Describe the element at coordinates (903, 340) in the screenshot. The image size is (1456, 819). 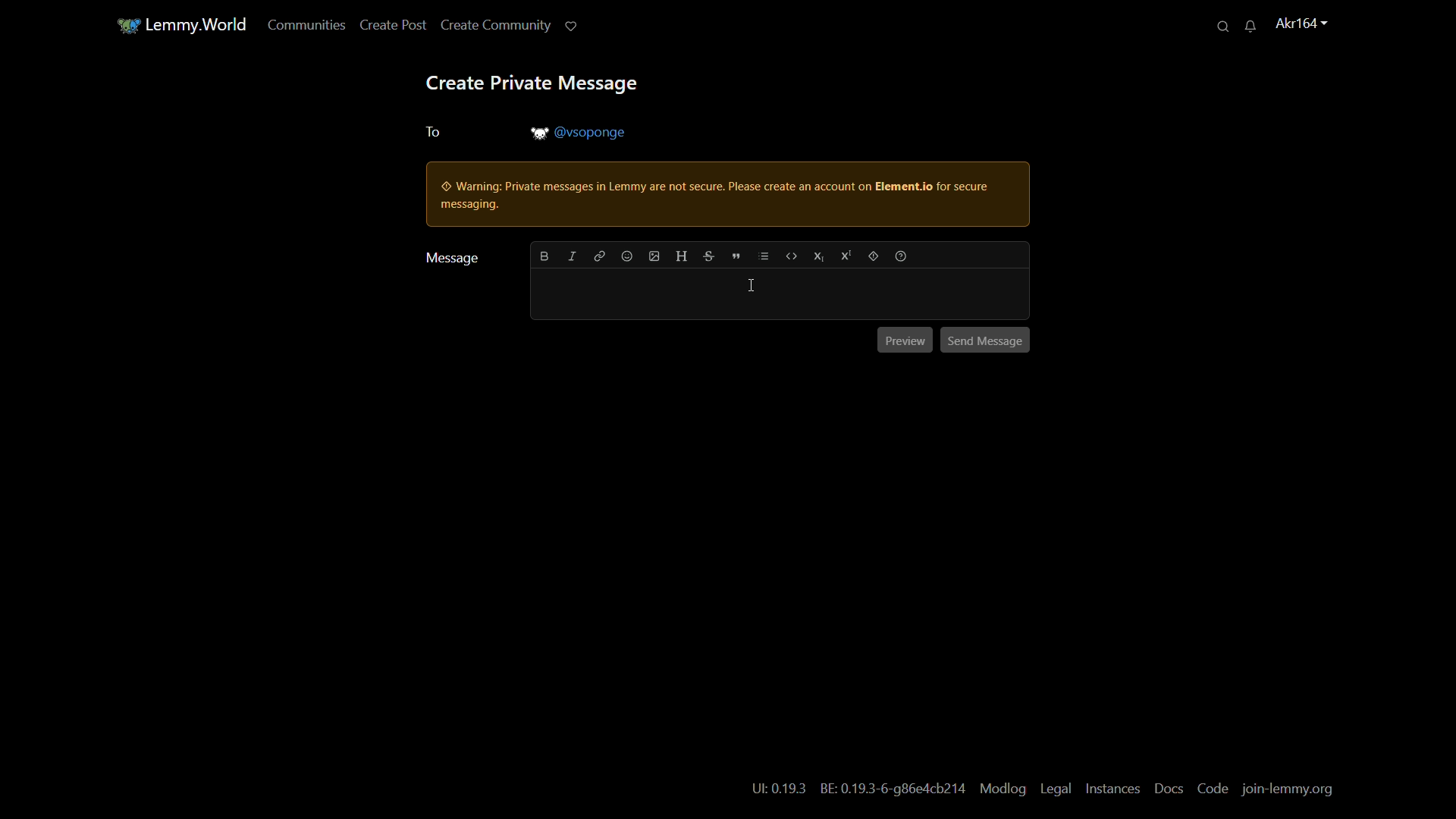
I see `preview` at that location.